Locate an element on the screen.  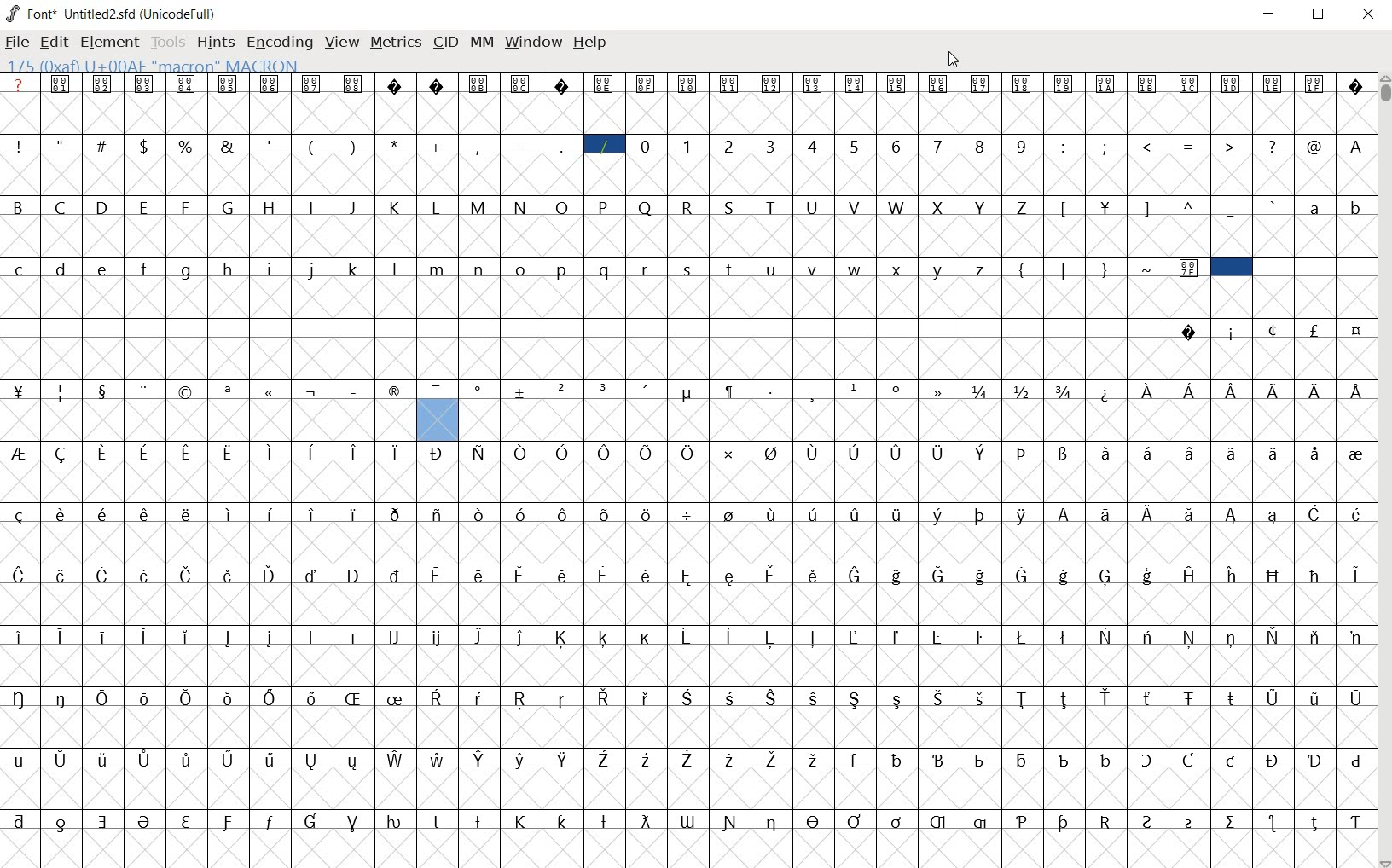
Symbol is located at coordinates (565, 821).